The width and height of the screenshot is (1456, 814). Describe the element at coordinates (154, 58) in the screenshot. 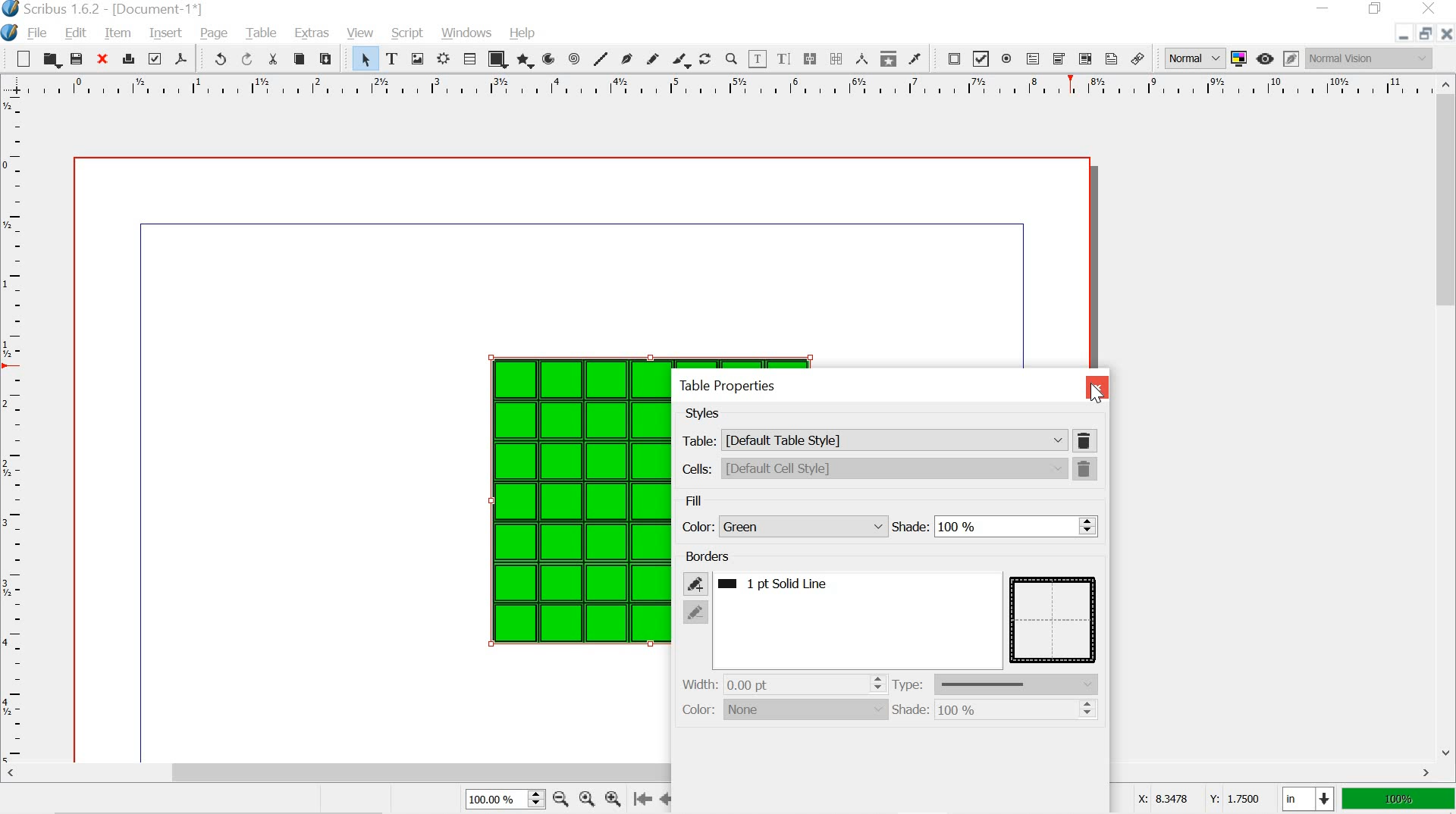

I see `preflight verifier` at that location.